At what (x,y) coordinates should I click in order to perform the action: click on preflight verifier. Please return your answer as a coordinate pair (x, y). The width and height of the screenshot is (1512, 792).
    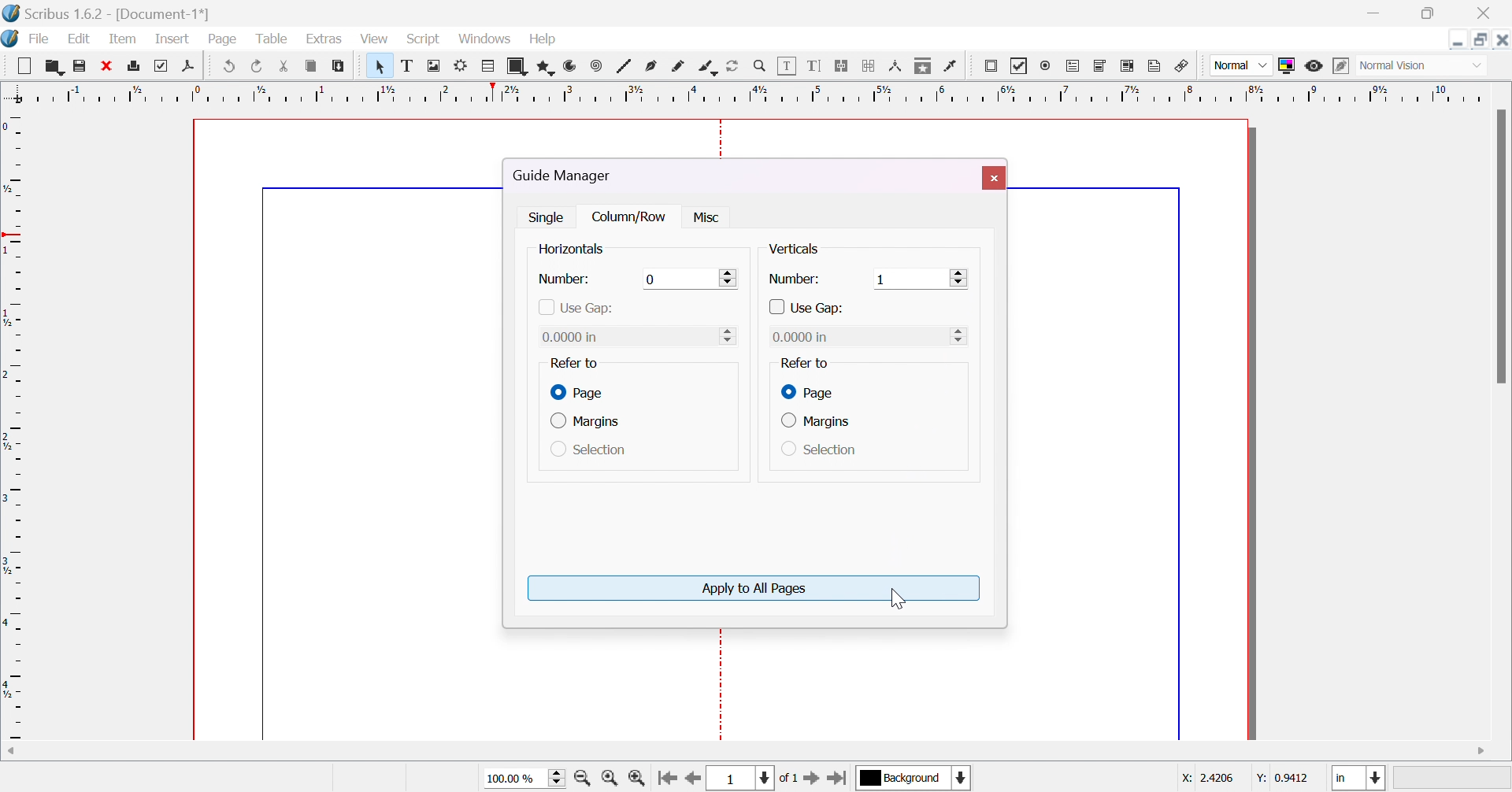
    Looking at the image, I should click on (166, 65).